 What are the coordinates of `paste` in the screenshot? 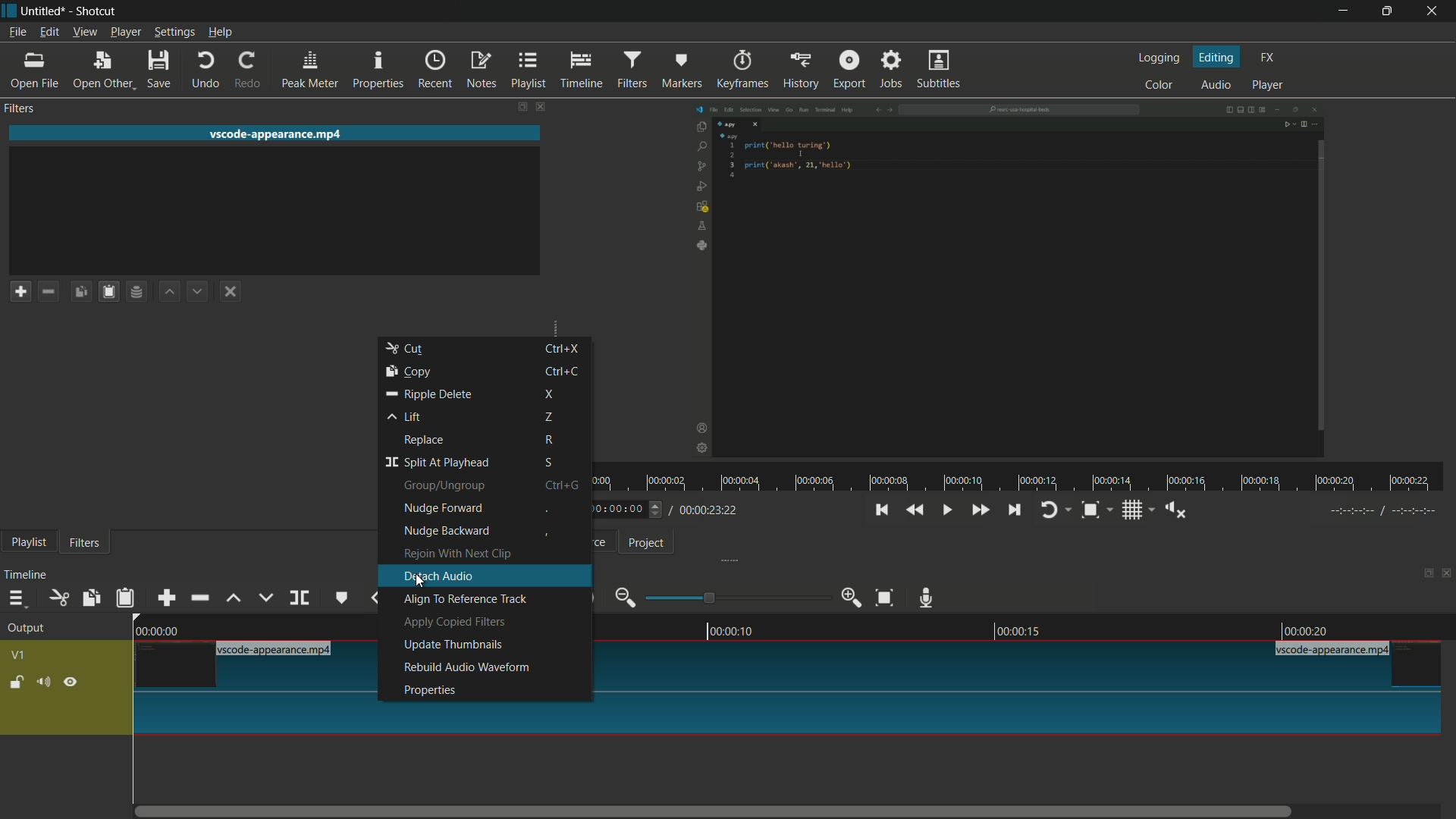 It's located at (125, 598).